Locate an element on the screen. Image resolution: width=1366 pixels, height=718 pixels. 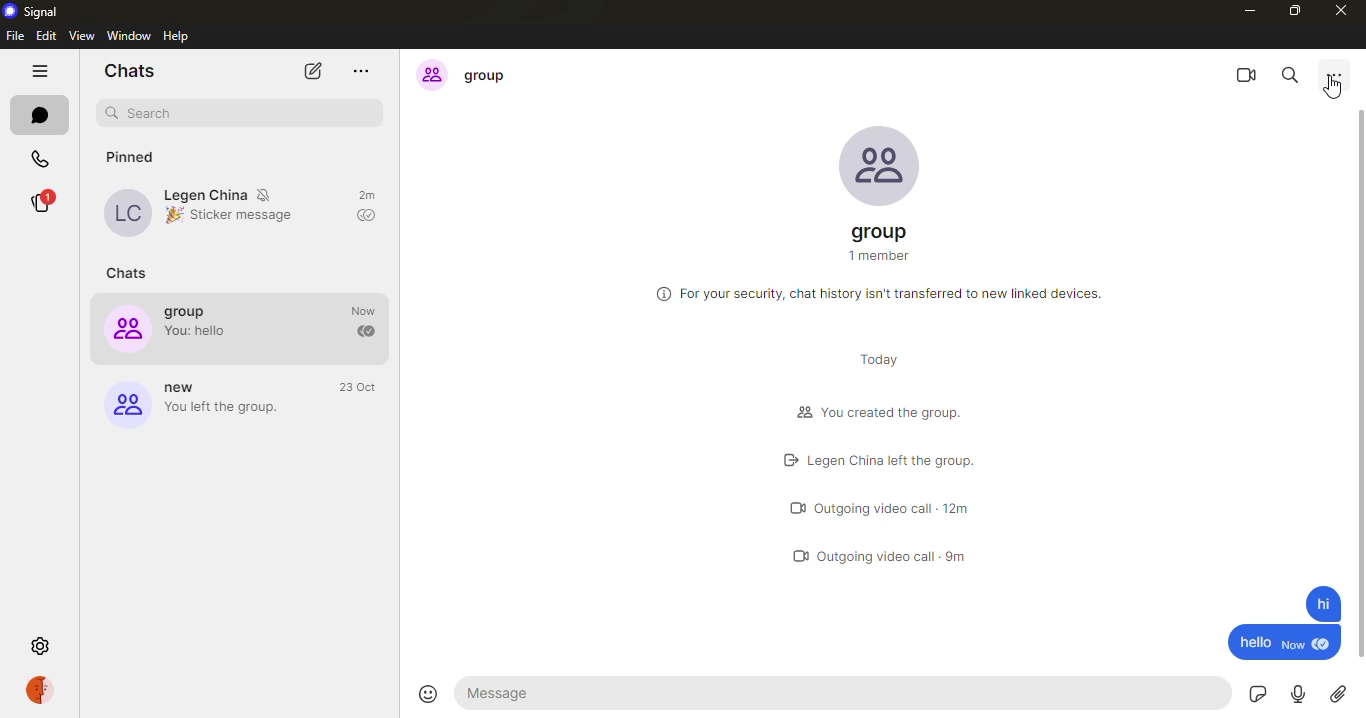
hello is located at coordinates (1253, 644).